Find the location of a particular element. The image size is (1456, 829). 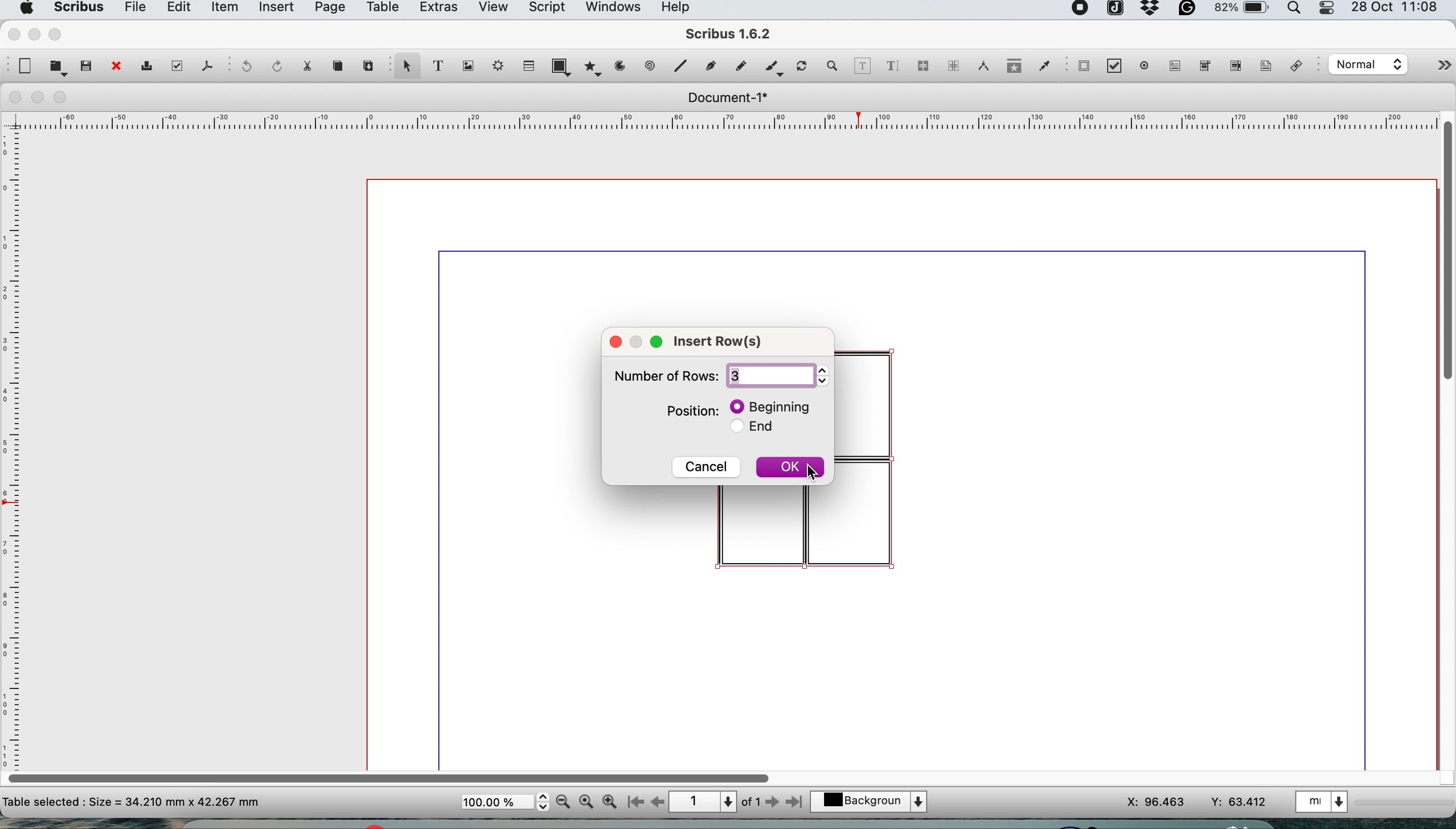

cancel is located at coordinates (707, 465).